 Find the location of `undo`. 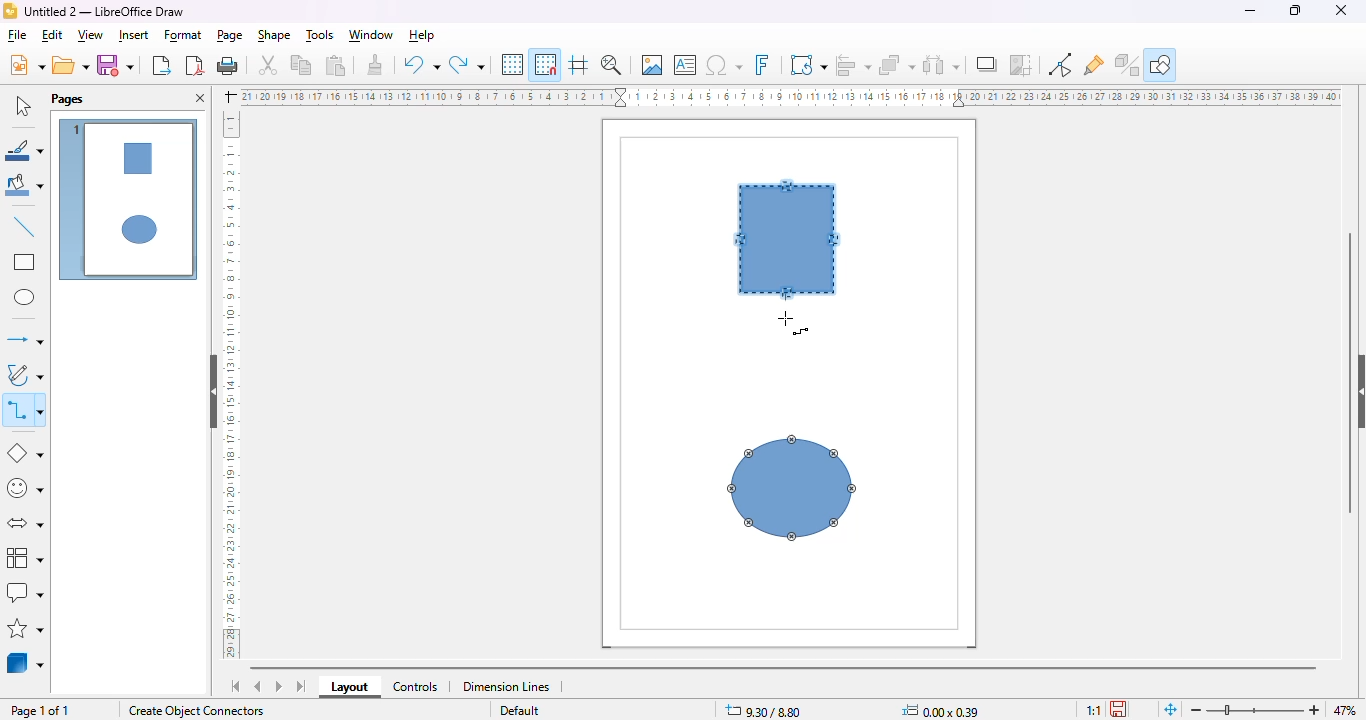

undo is located at coordinates (421, 66).